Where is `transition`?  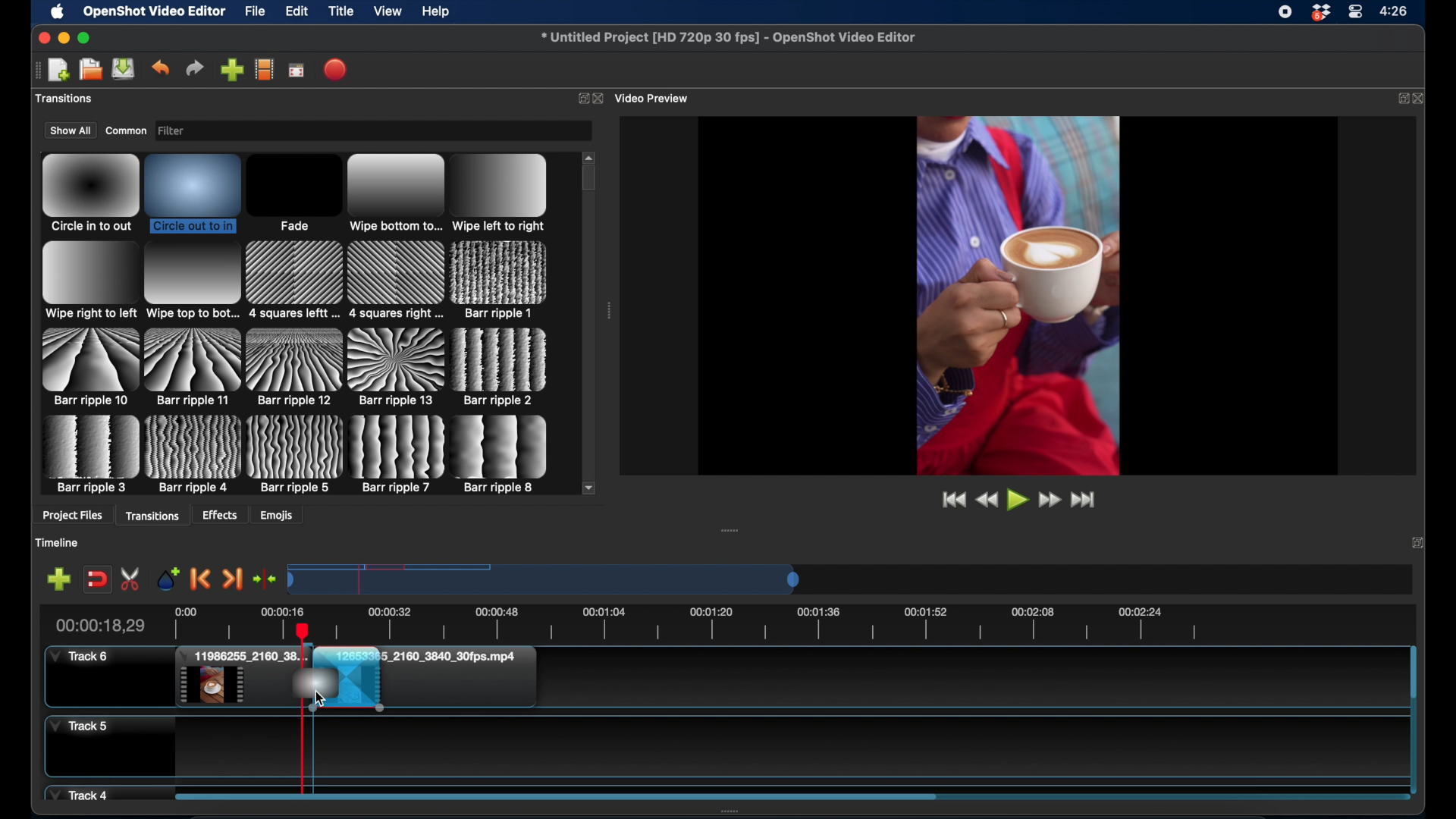
transition is located at coordinates (89, 281).